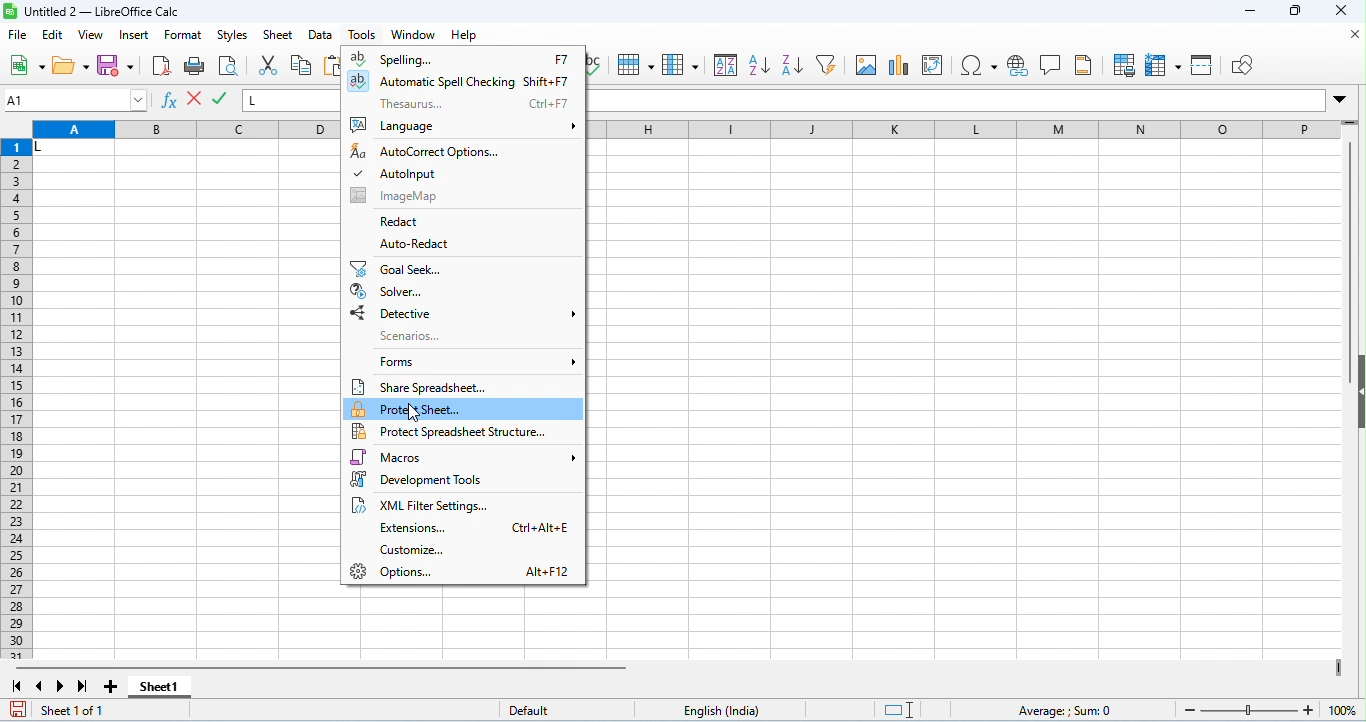  Describe the element at coordinates (196, 100) in the screenshot. I see `accept` at that location.